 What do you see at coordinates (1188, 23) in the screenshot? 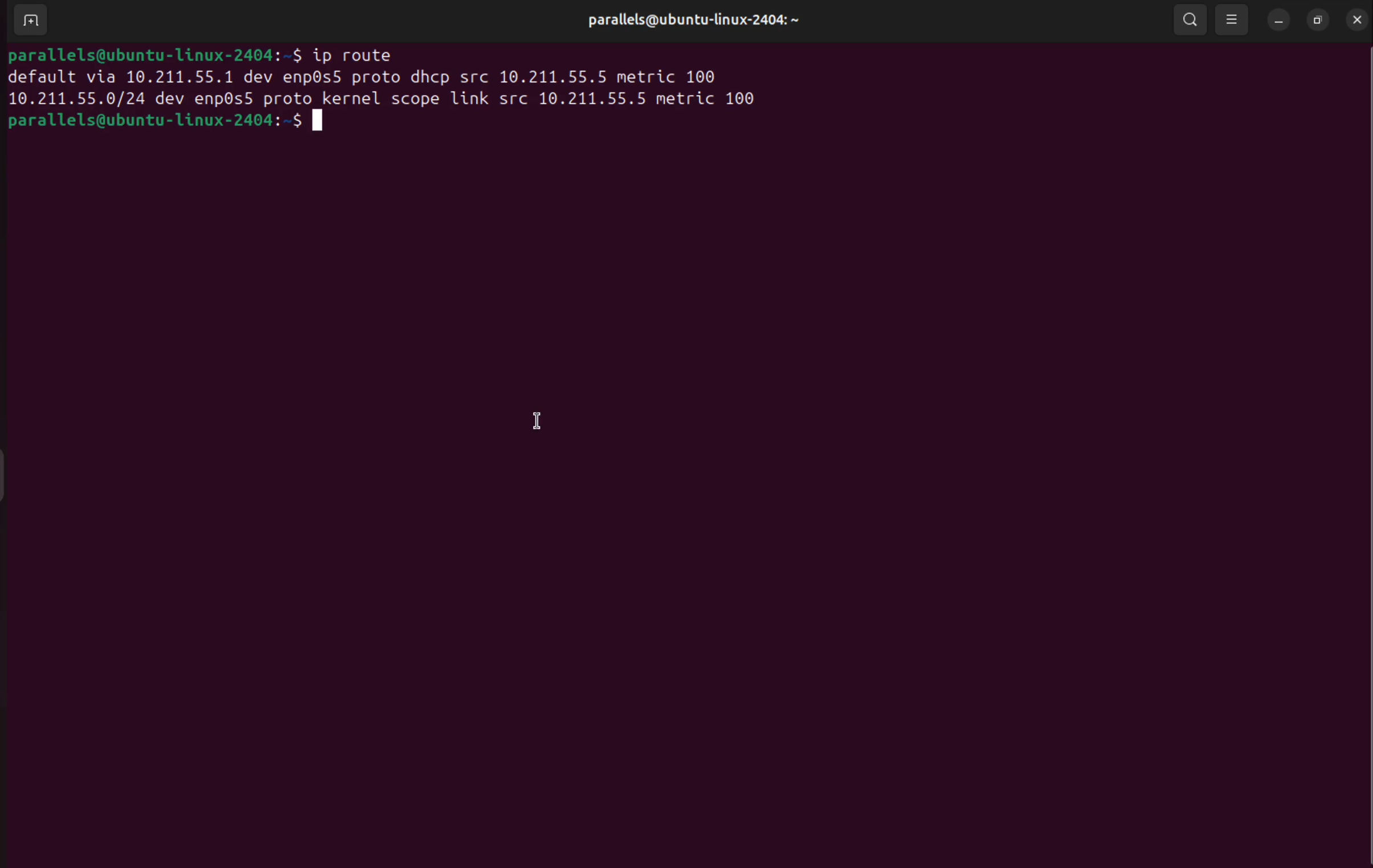
I see `search` at bounding box center [1188, 23].